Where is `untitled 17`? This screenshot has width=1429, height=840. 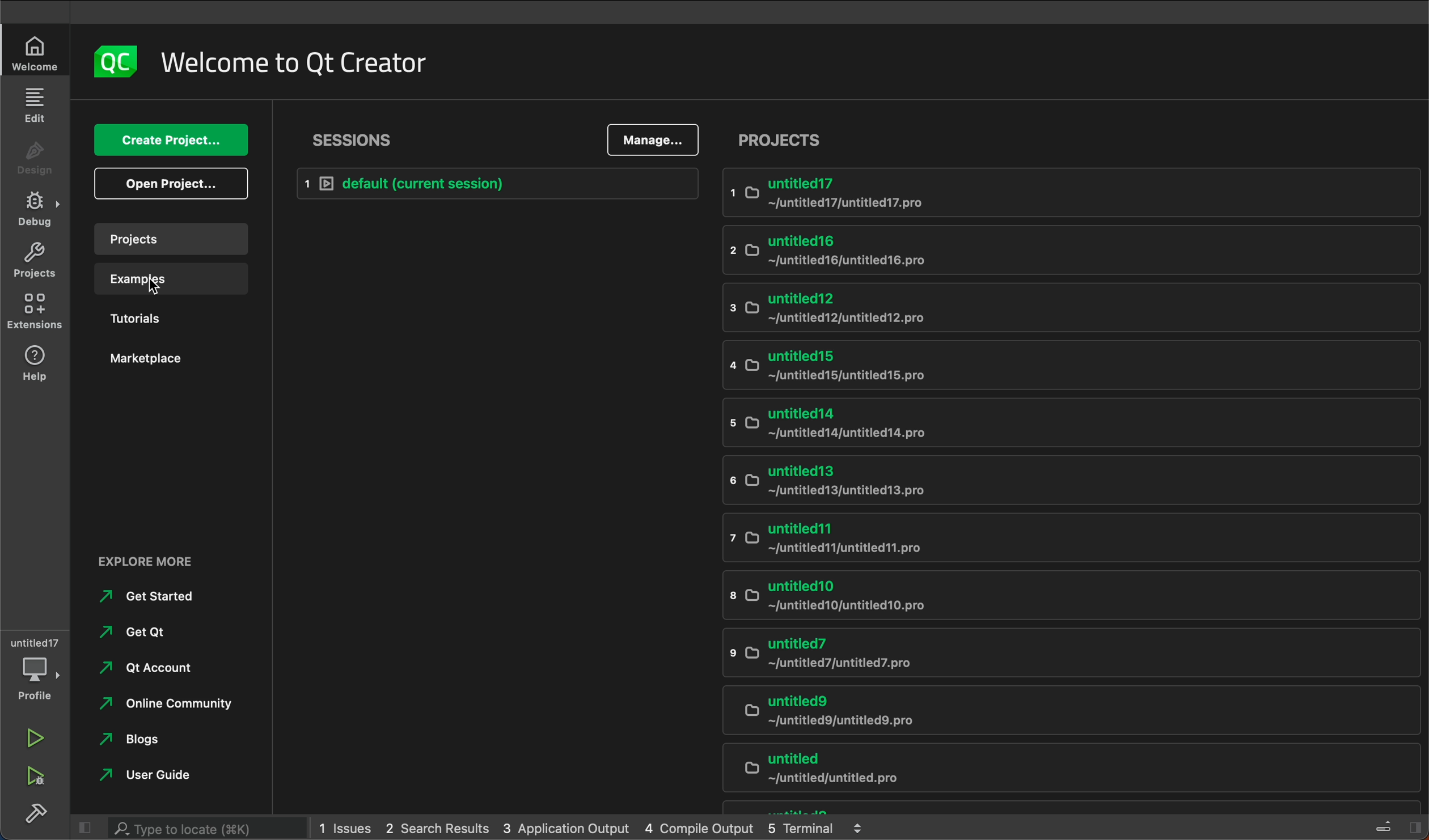 untitled 17 is located at coordinates (1069, 194).